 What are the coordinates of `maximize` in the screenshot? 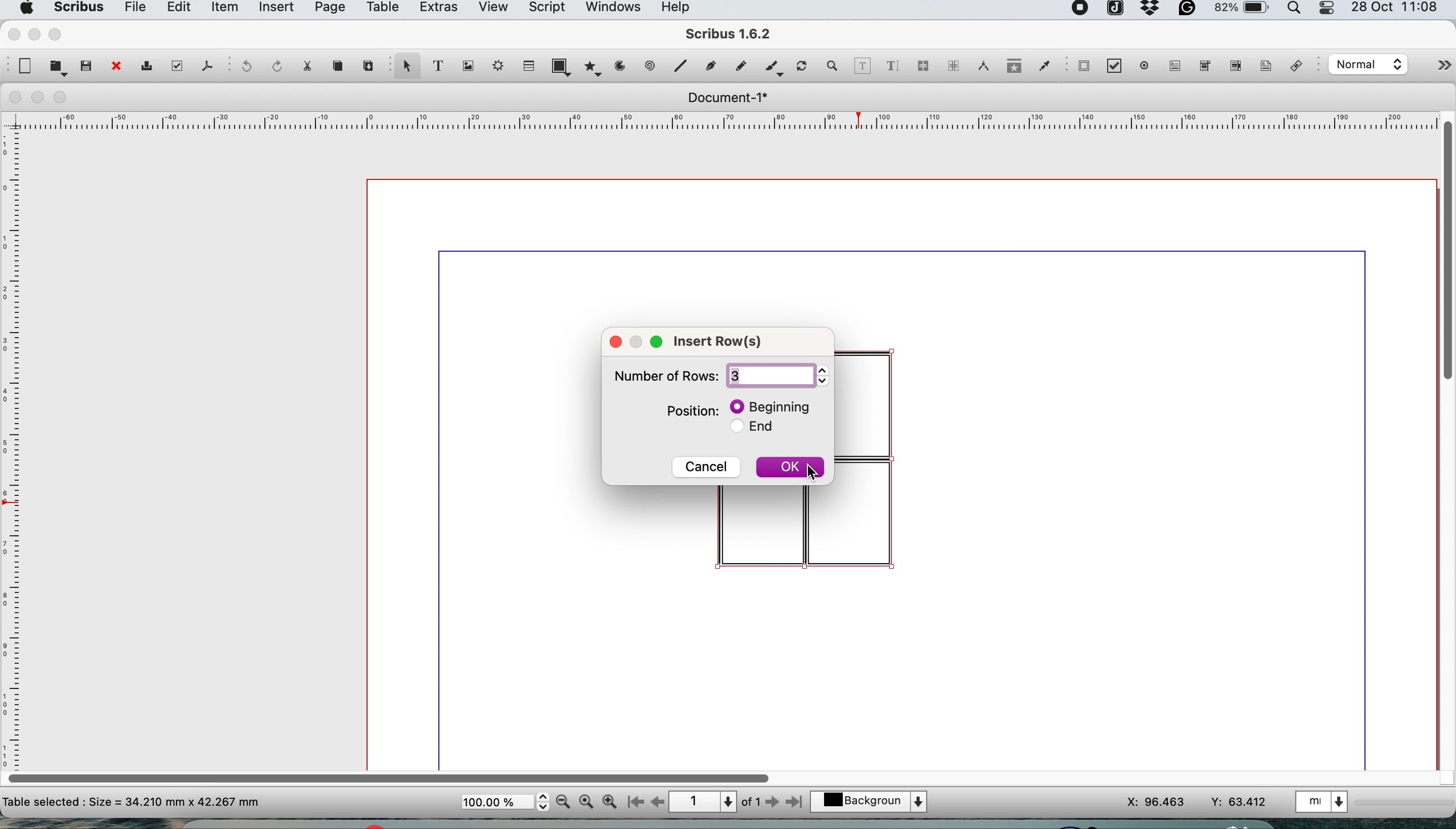 It's located at (659, 342).